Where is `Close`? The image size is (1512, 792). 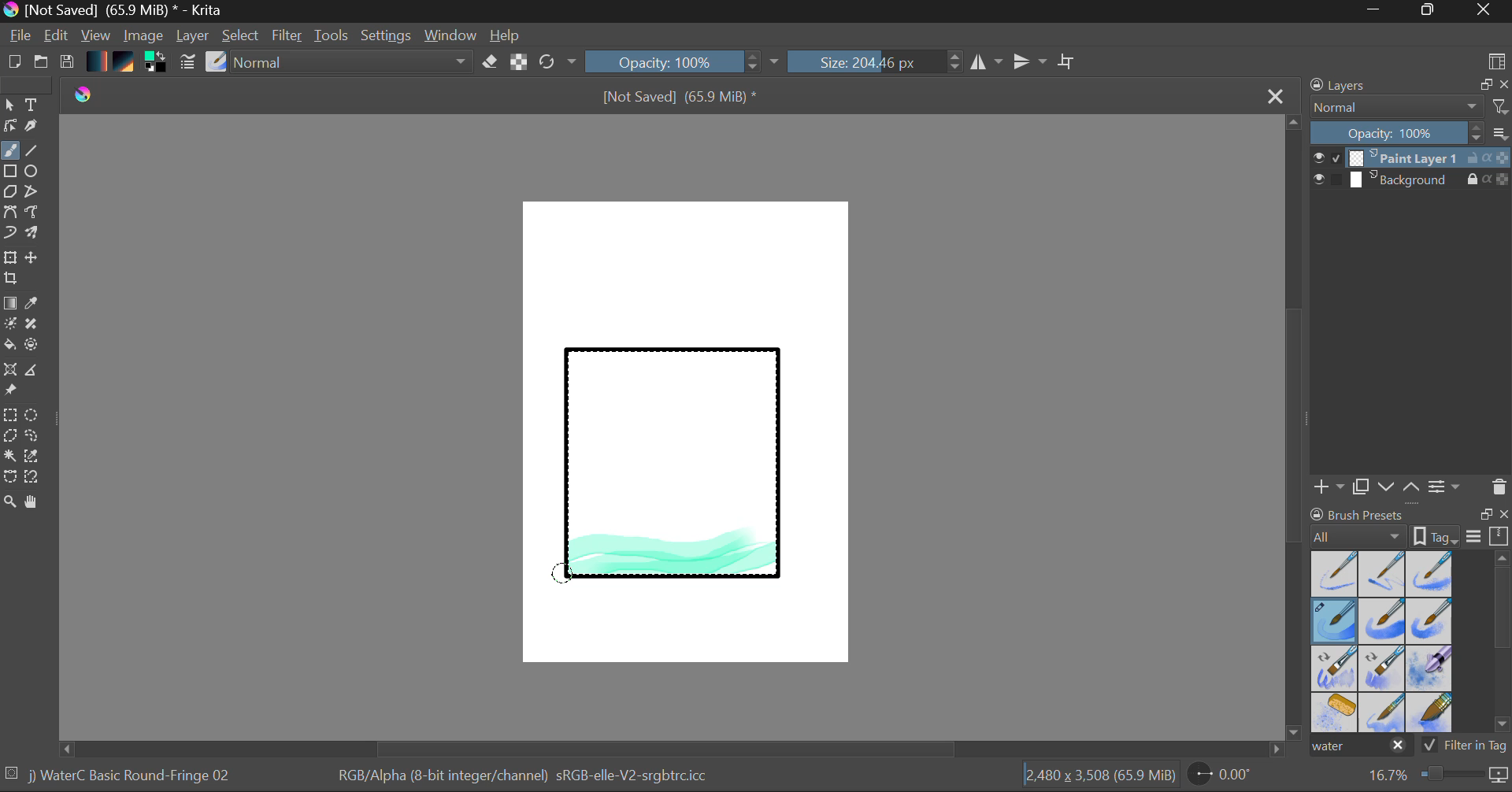
Close is located at coordinates (1277, 95).